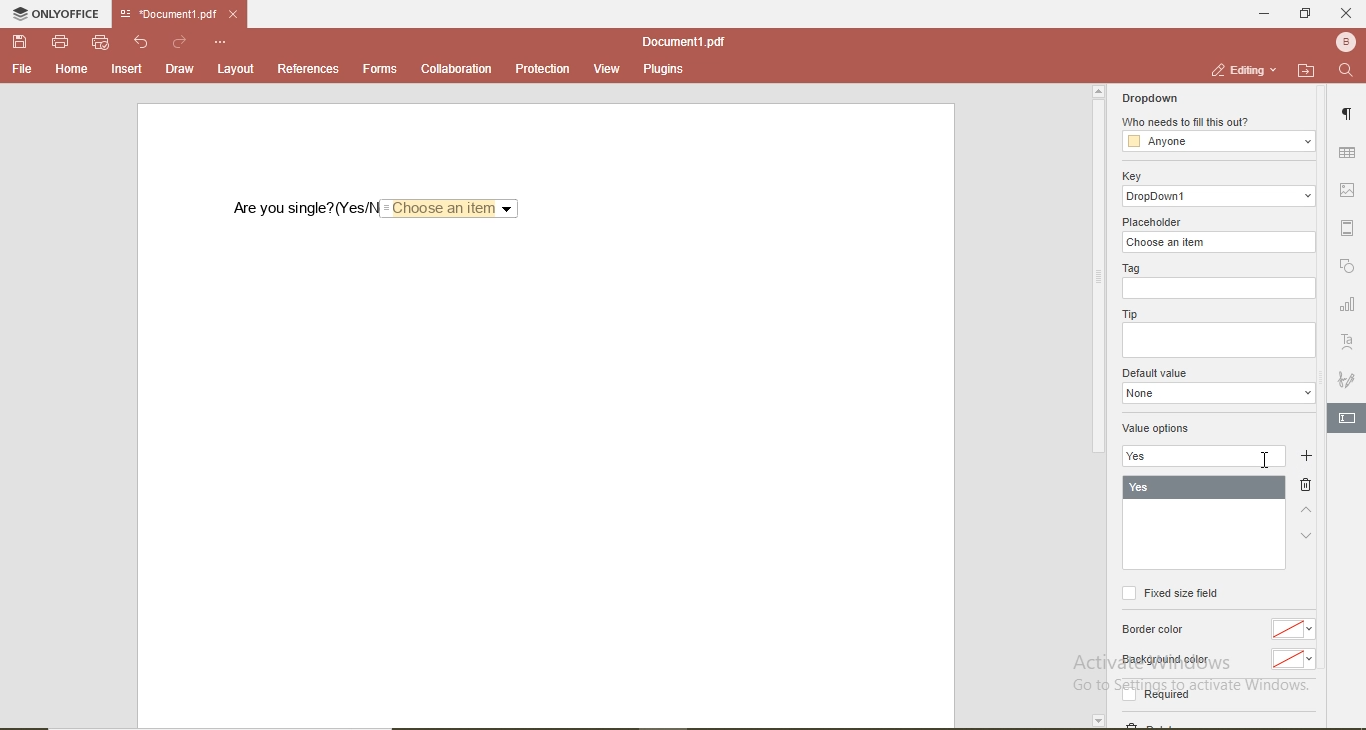 The image size is (1366, 730). What do you see at coordinates (1151, 99) in the screenshot?
I see `dropdown` at bounding box center [1151, 99].